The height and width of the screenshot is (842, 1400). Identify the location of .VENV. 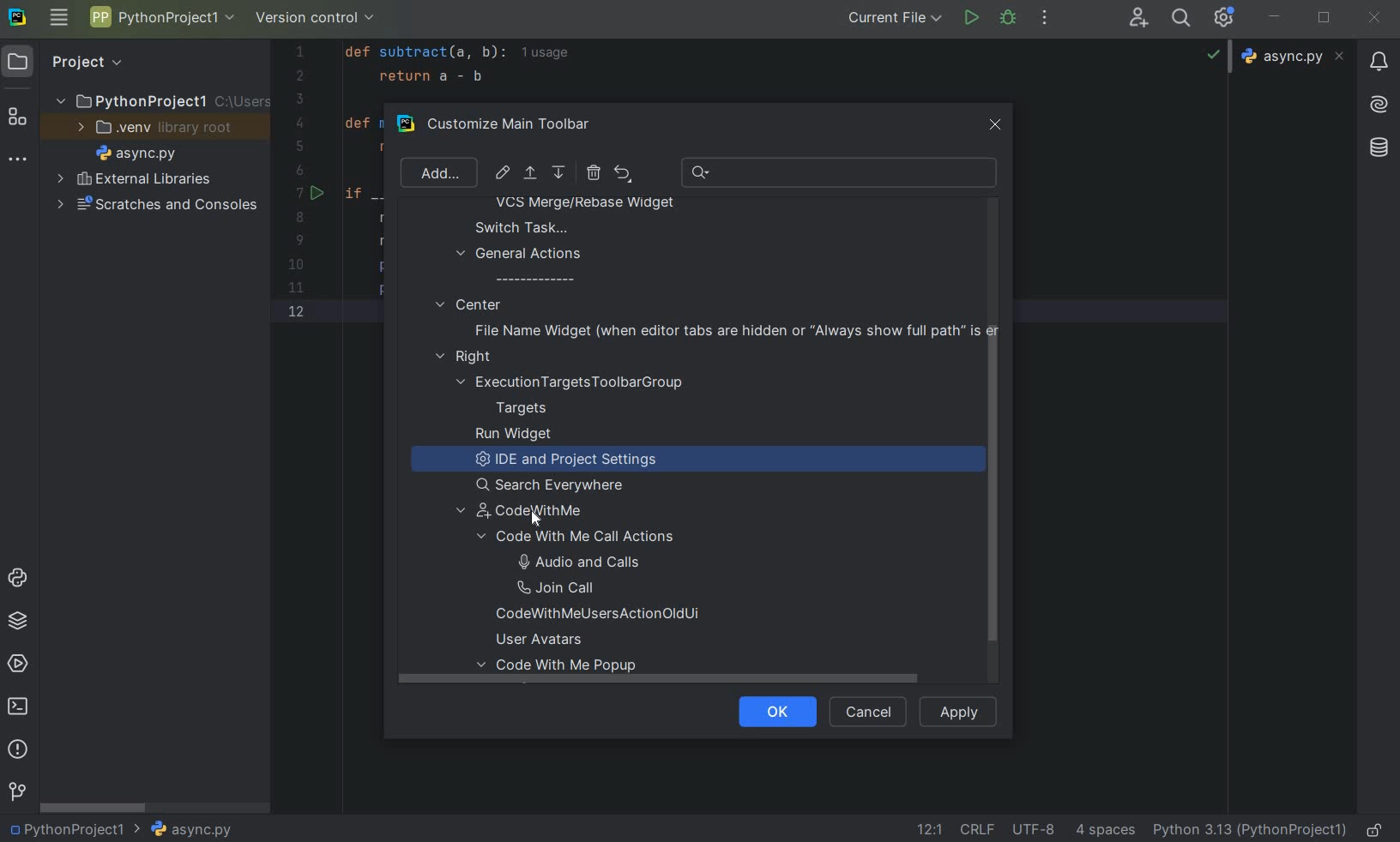
(155, 128).